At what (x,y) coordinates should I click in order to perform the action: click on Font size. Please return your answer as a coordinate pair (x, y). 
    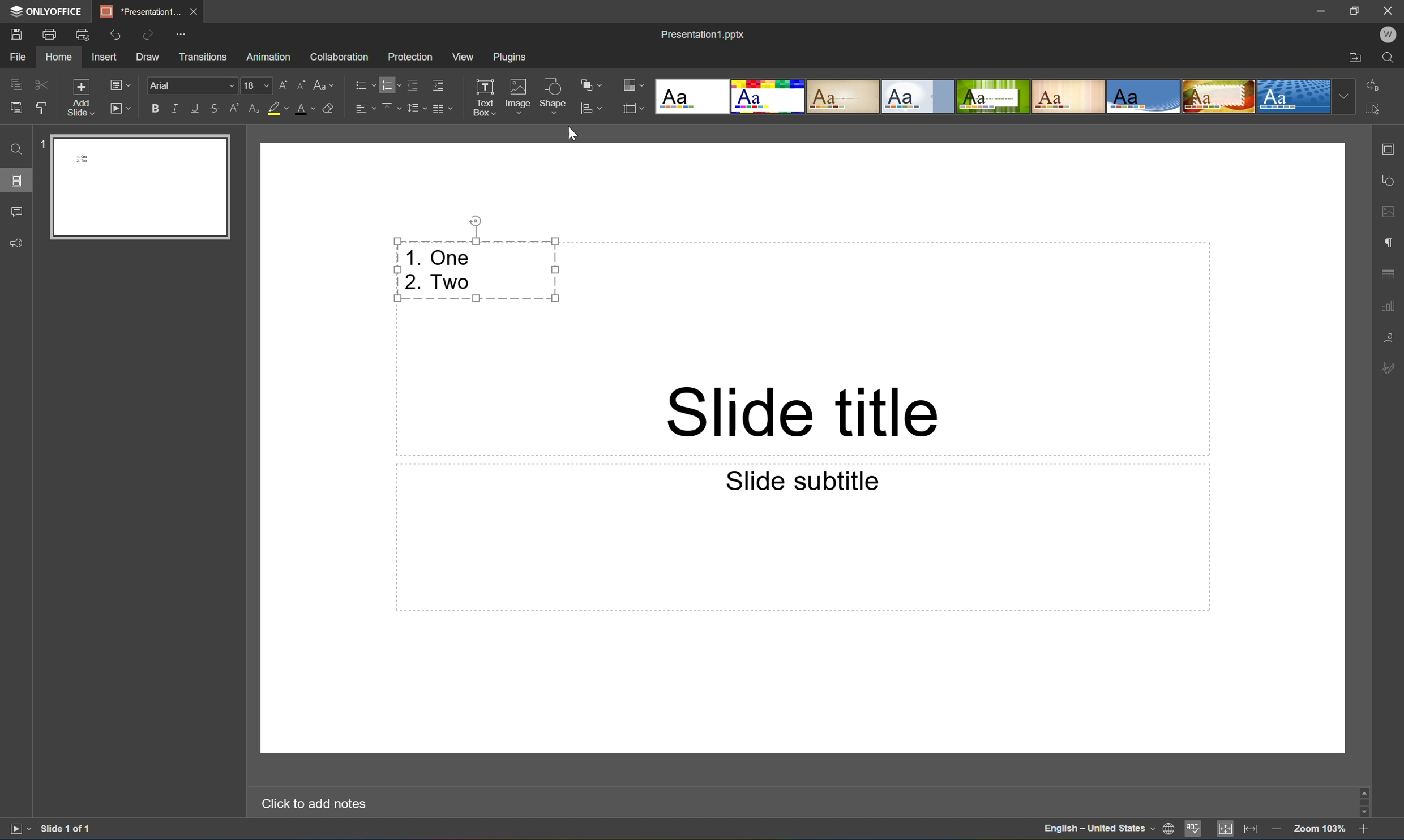
    Looking at the image, I should click on (258, 87).